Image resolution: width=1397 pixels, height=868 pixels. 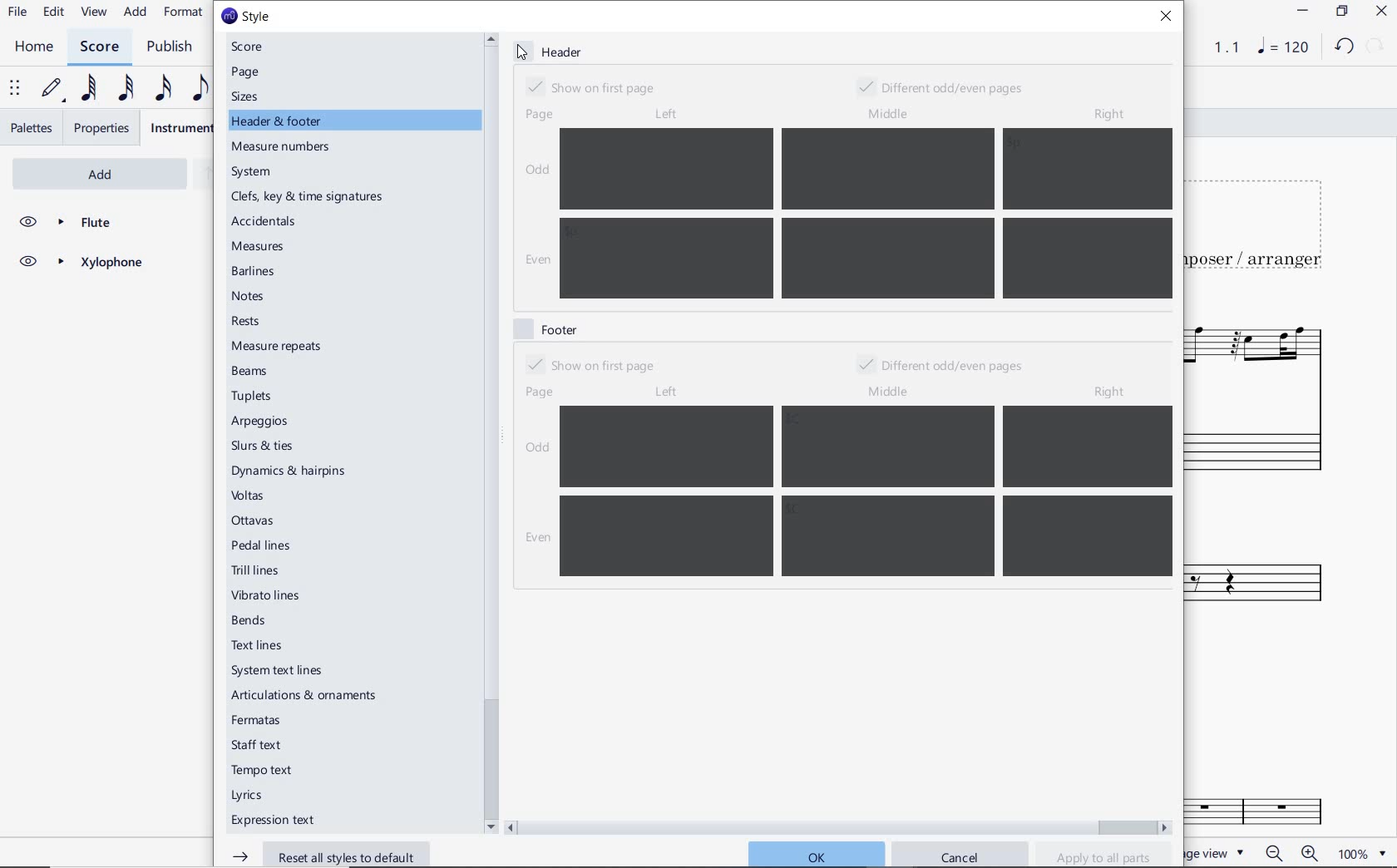 I want to click on system text lines, so click(x=279, y=670).